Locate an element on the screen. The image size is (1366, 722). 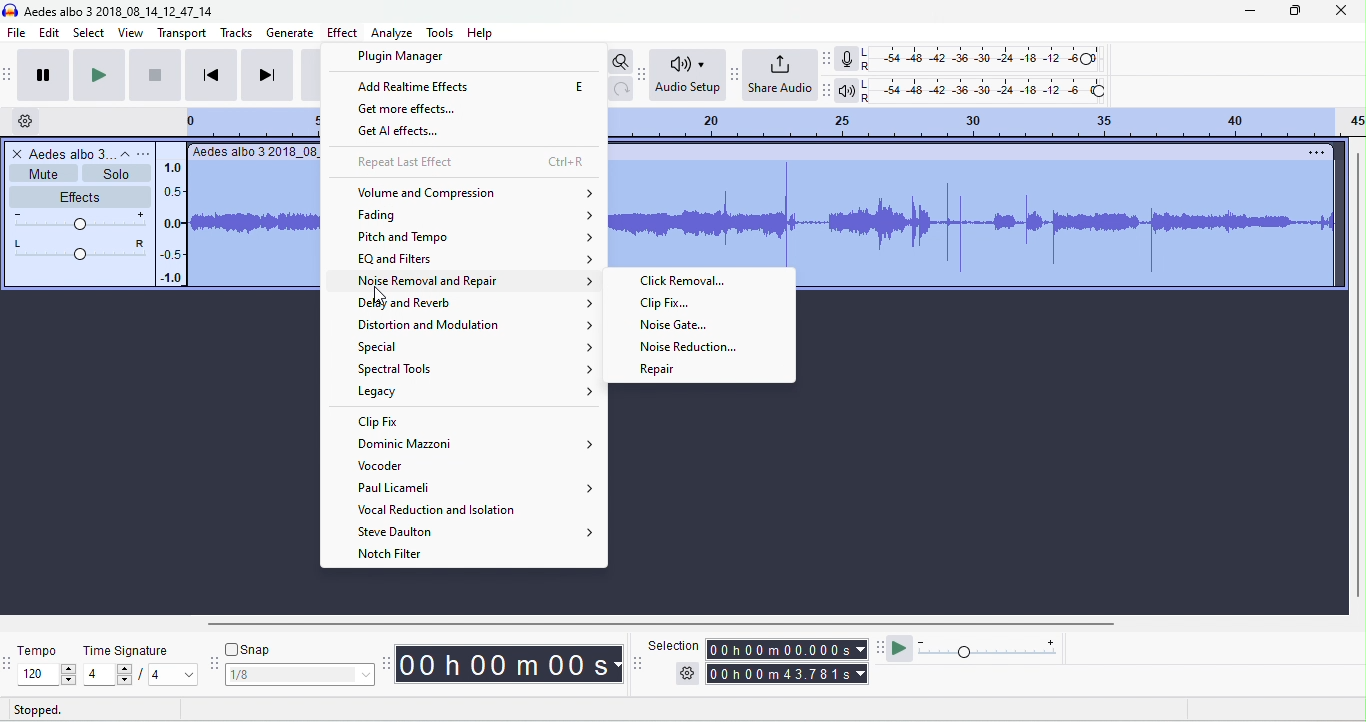
get more effects is located at coordinates (422, 110).